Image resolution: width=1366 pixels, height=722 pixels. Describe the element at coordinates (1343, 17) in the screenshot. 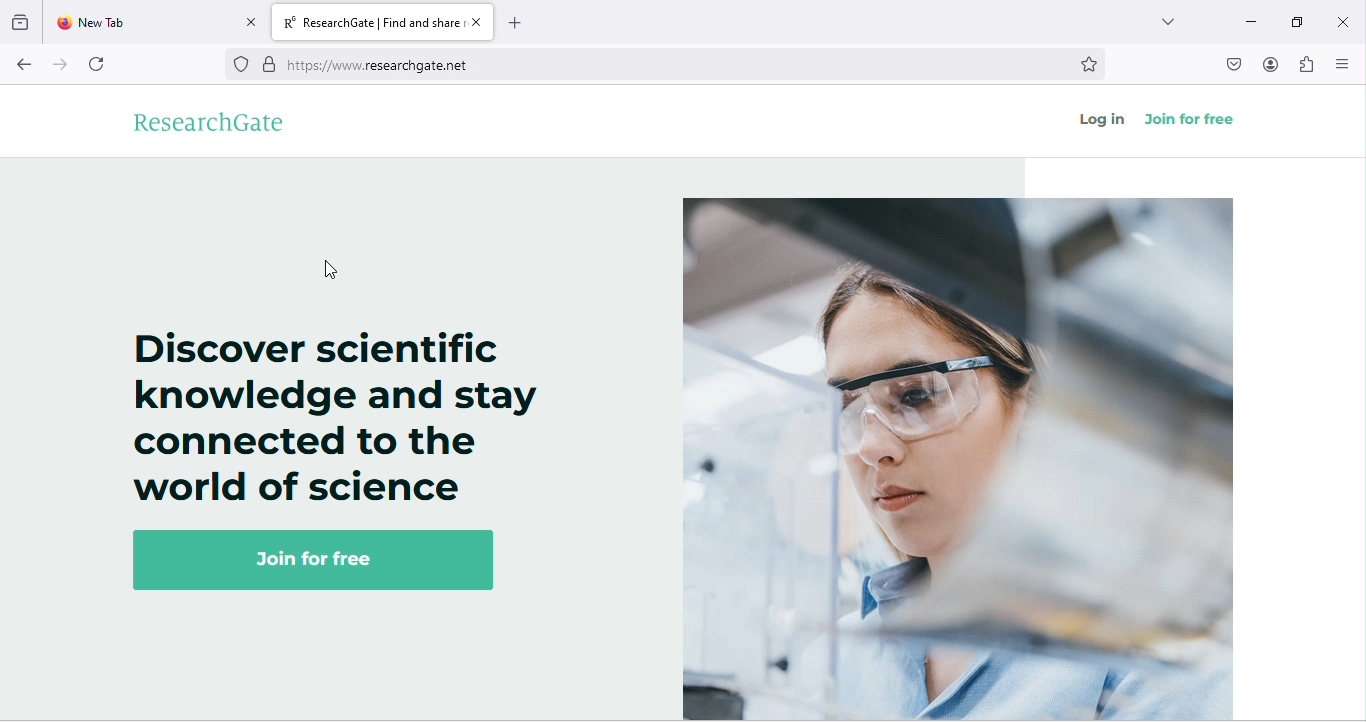

I see `close` at that location.